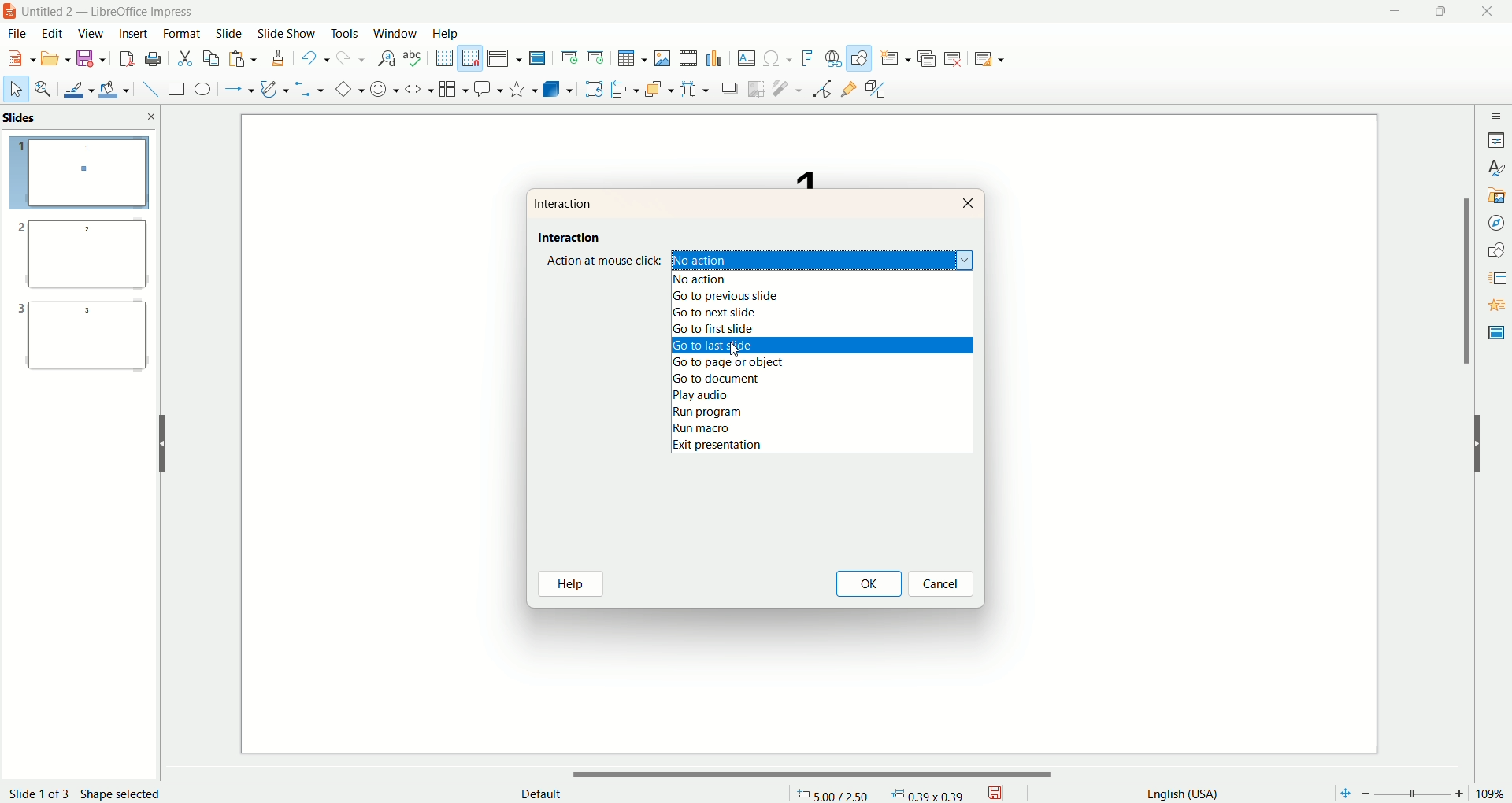  What do you see at coordinates (1485, 448) in the screenshot?
I see `hide` at bounding box center [1485, 448].